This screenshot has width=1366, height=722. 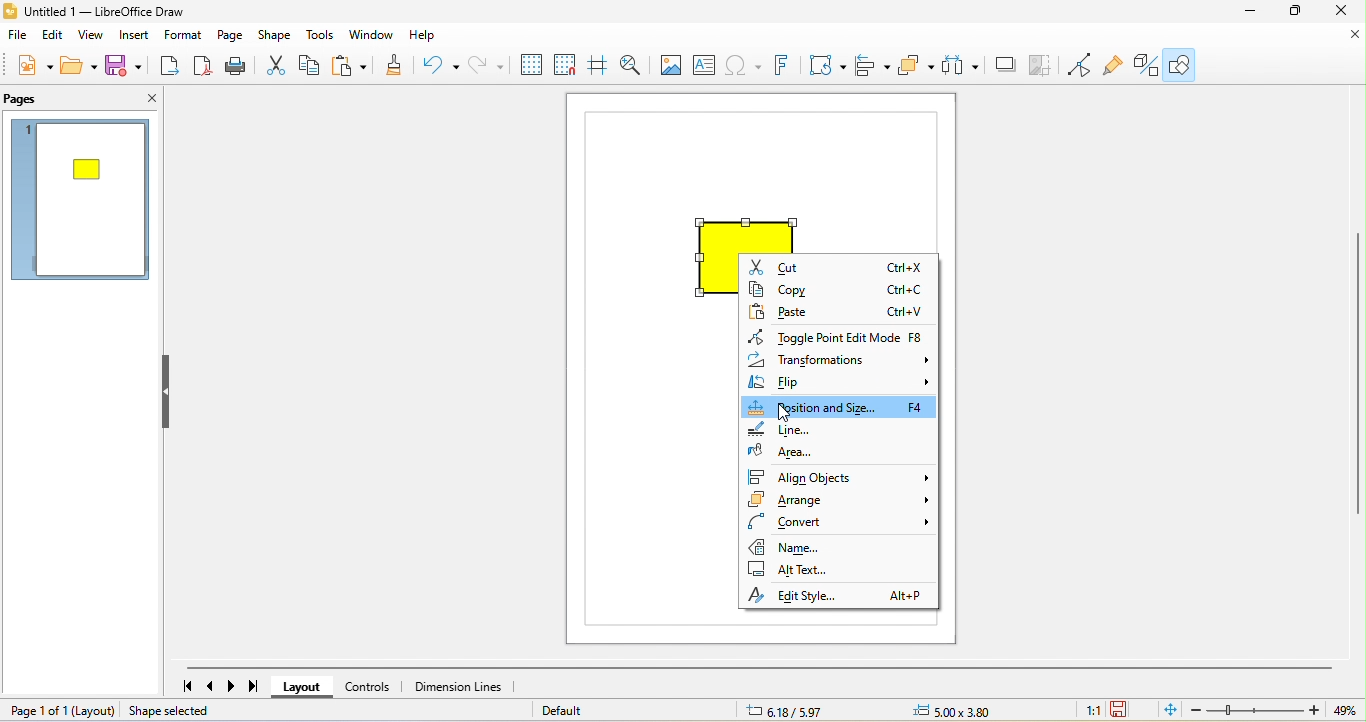 I want to click on first page, so click(x=184, y=687).